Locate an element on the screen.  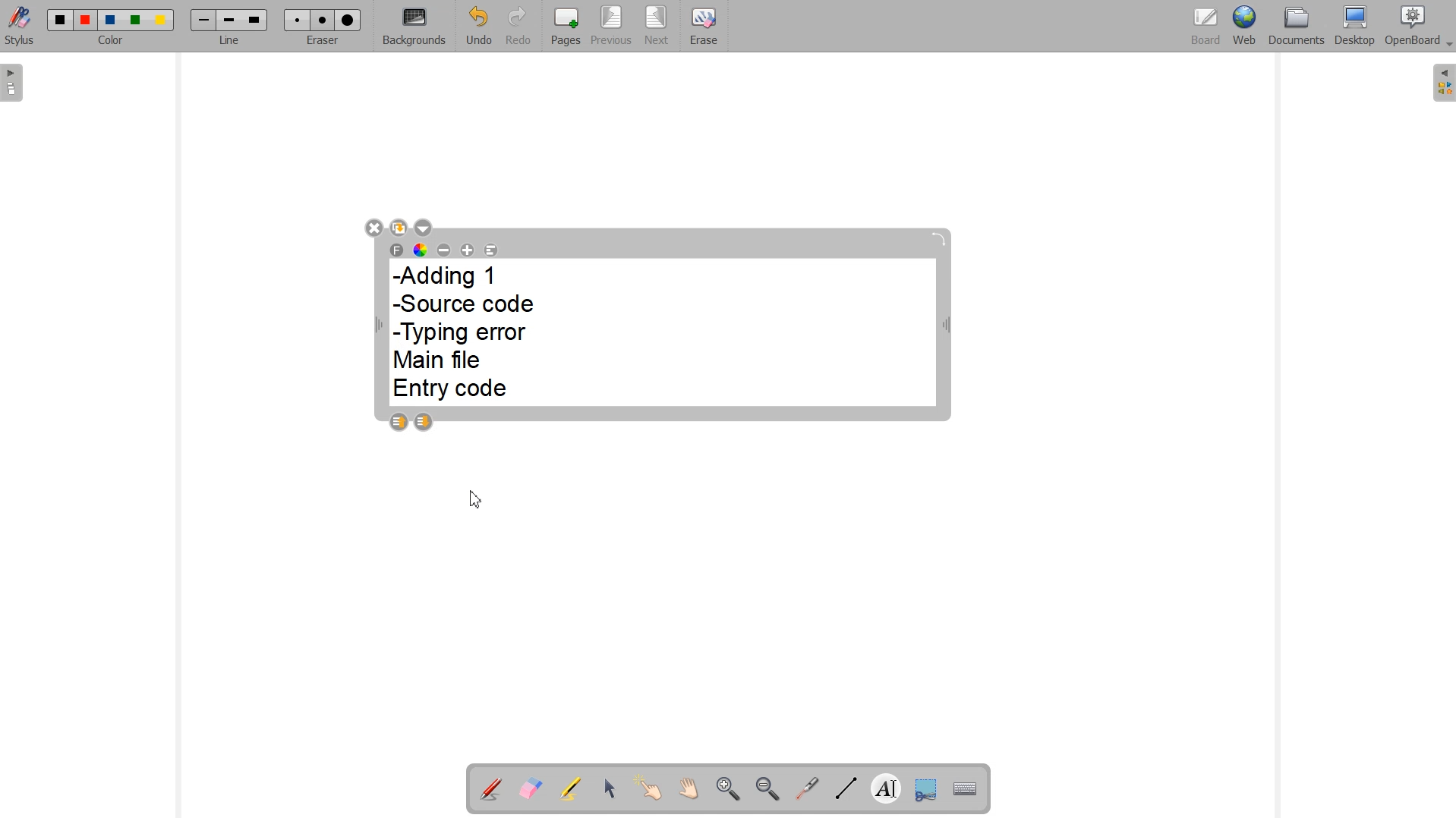
Duplicate is located at coordinates (399, 227).